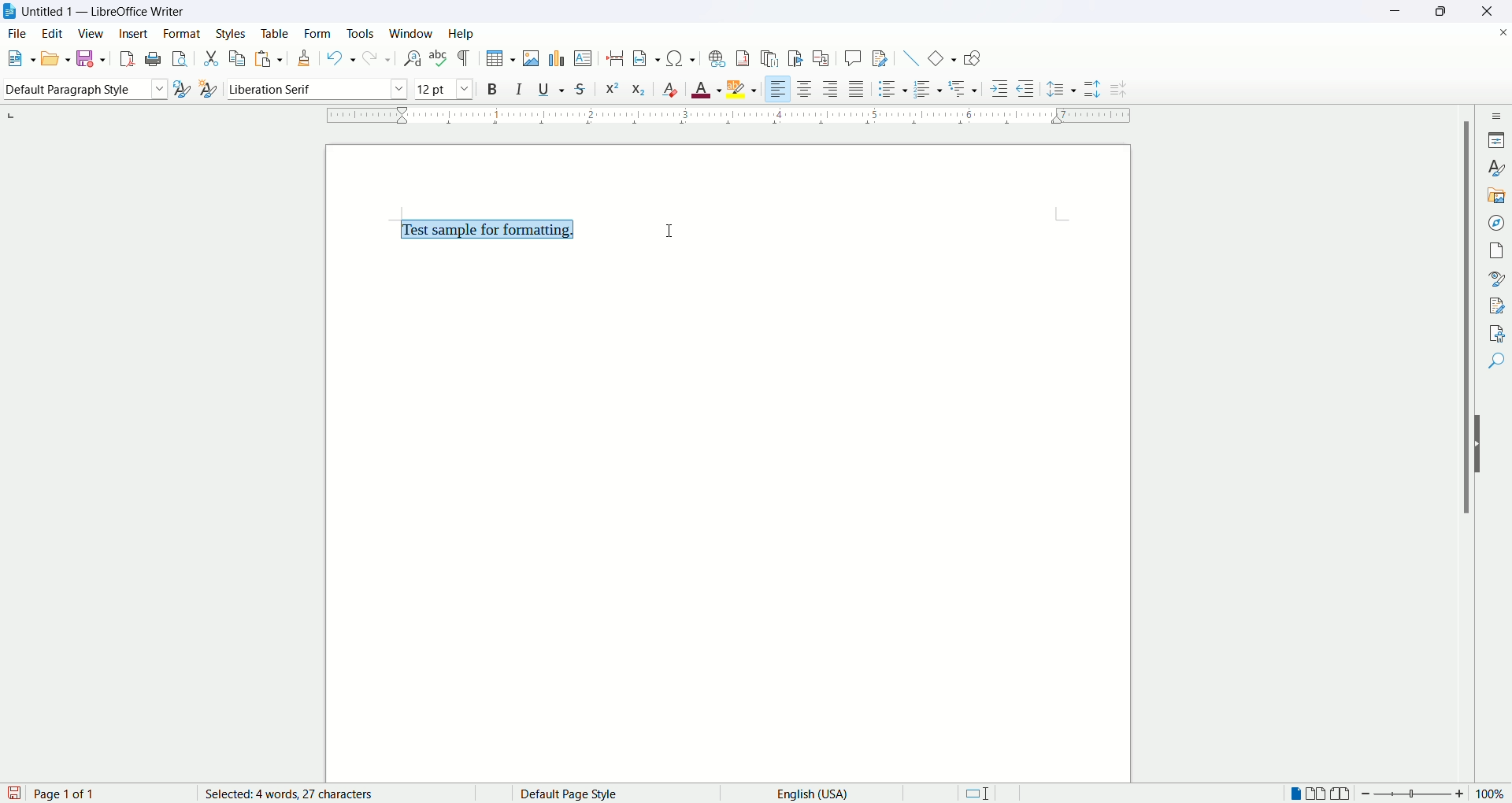 The image size is (1512, 803). Describe the element at coordinates (1497, 196) in the screenshot. I see `gallery` at that location.